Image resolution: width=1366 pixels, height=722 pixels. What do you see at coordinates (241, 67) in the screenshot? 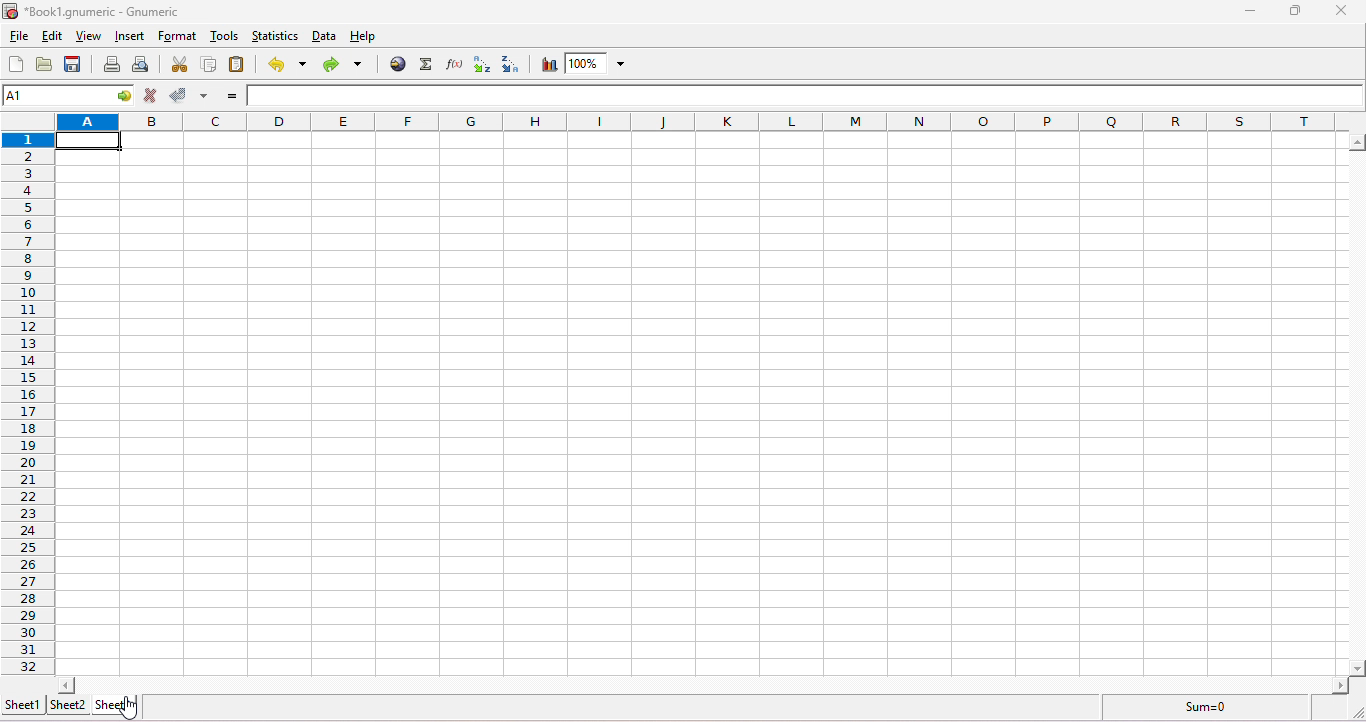
I see `paste` at bounding box center [241, 67].